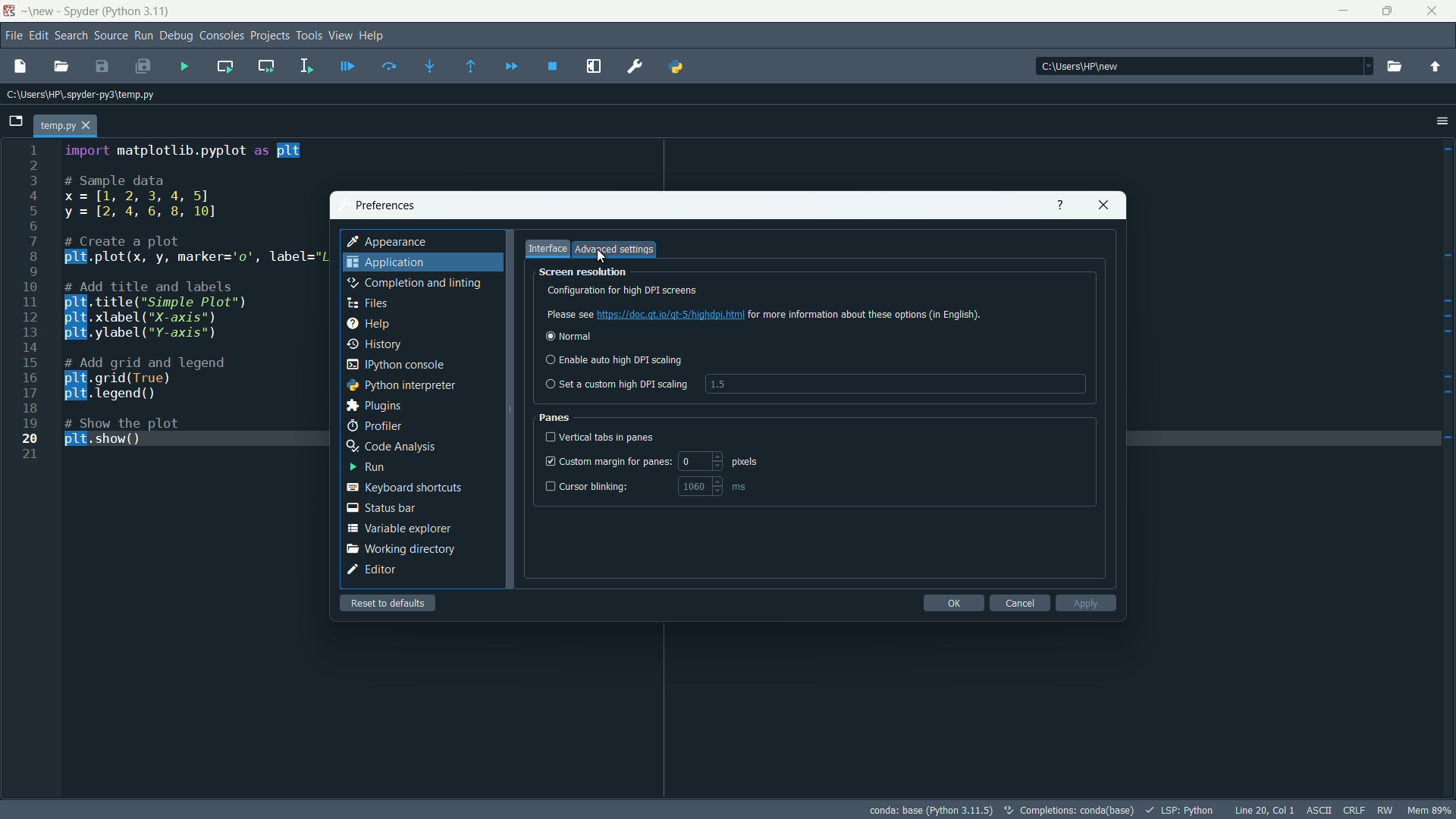 The height and width of the screenshot is (819, 1456). Describe the element at coordinates (547, 249) in the screenshot. I see `interface` at that location.